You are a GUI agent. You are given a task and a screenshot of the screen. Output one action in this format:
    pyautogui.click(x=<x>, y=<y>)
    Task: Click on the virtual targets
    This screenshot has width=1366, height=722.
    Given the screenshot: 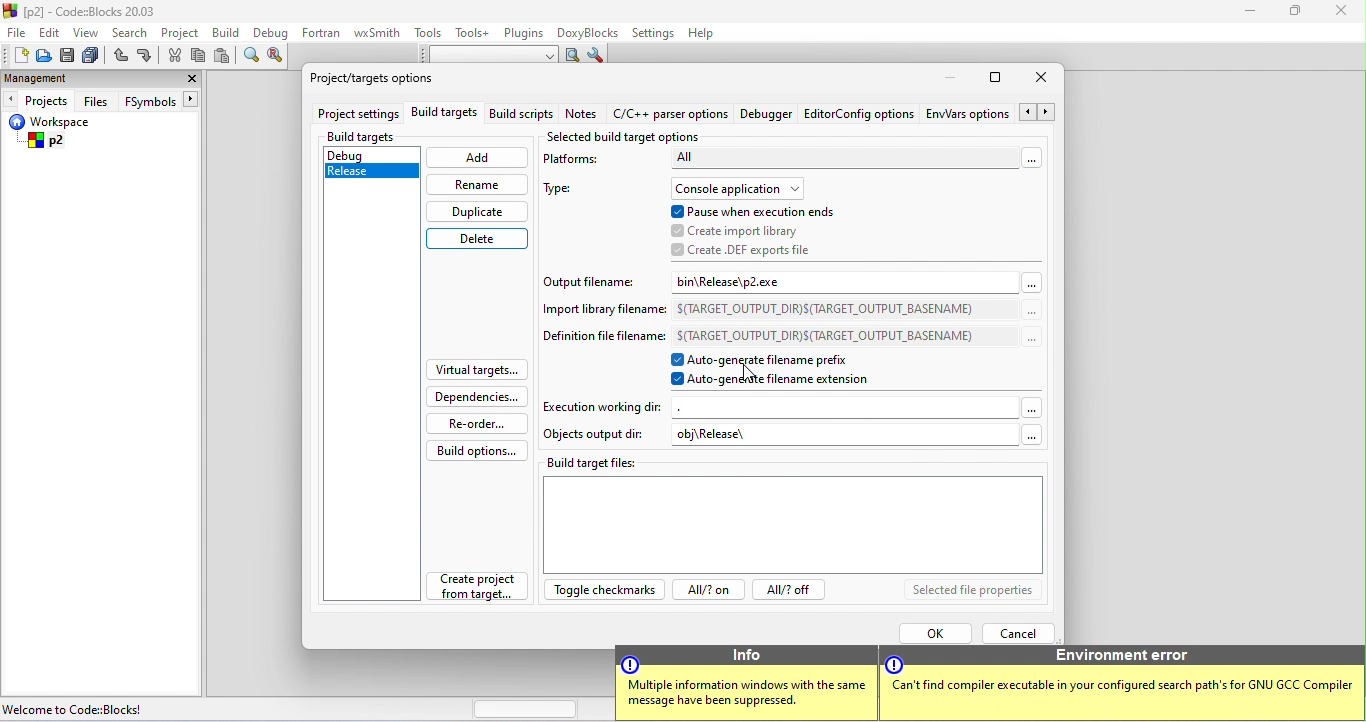 What is the action you would take?
    pyautogui.click(x=476, y=370)
    